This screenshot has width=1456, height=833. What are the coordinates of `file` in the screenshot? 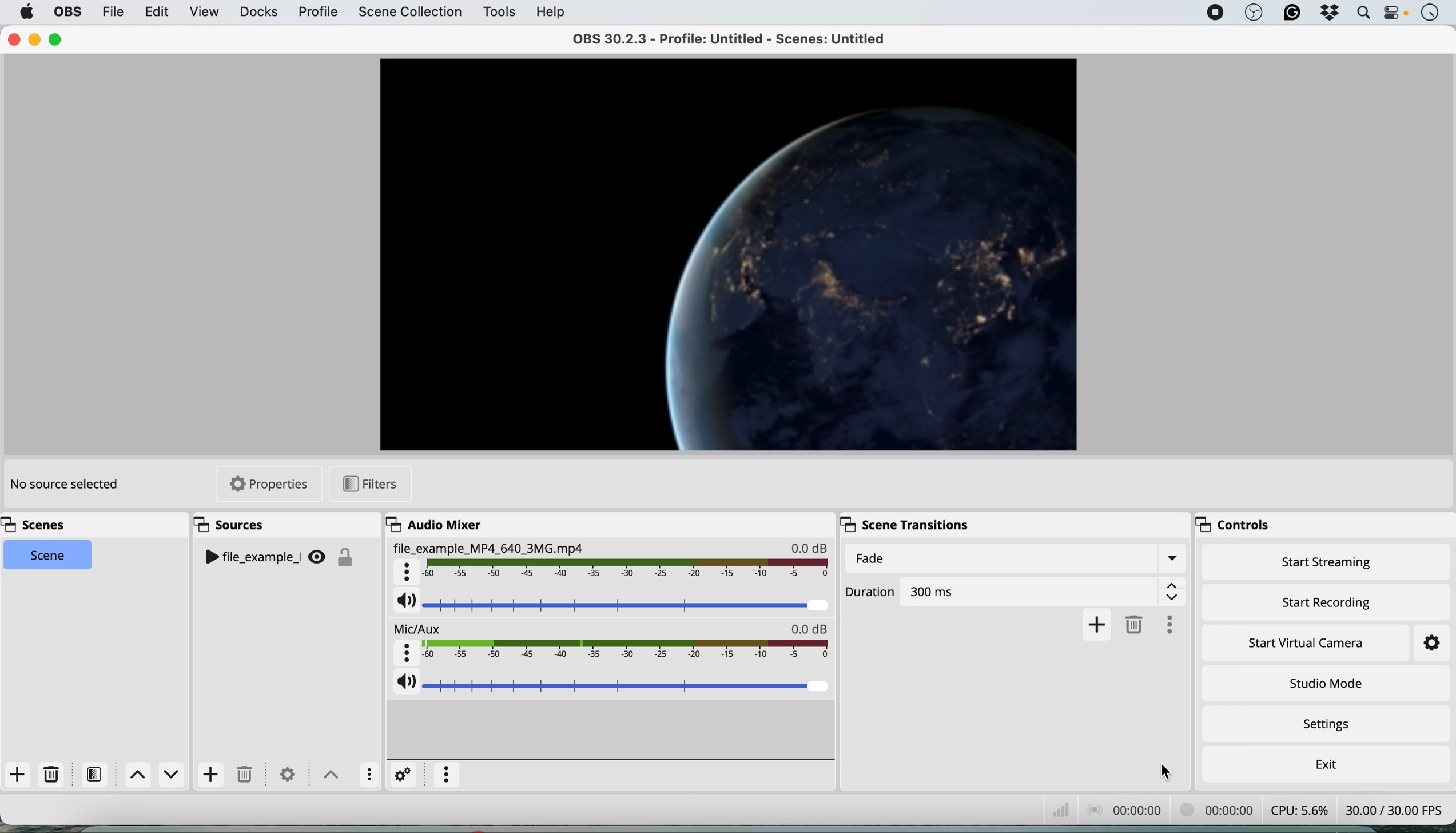 It's located at (112, 11).